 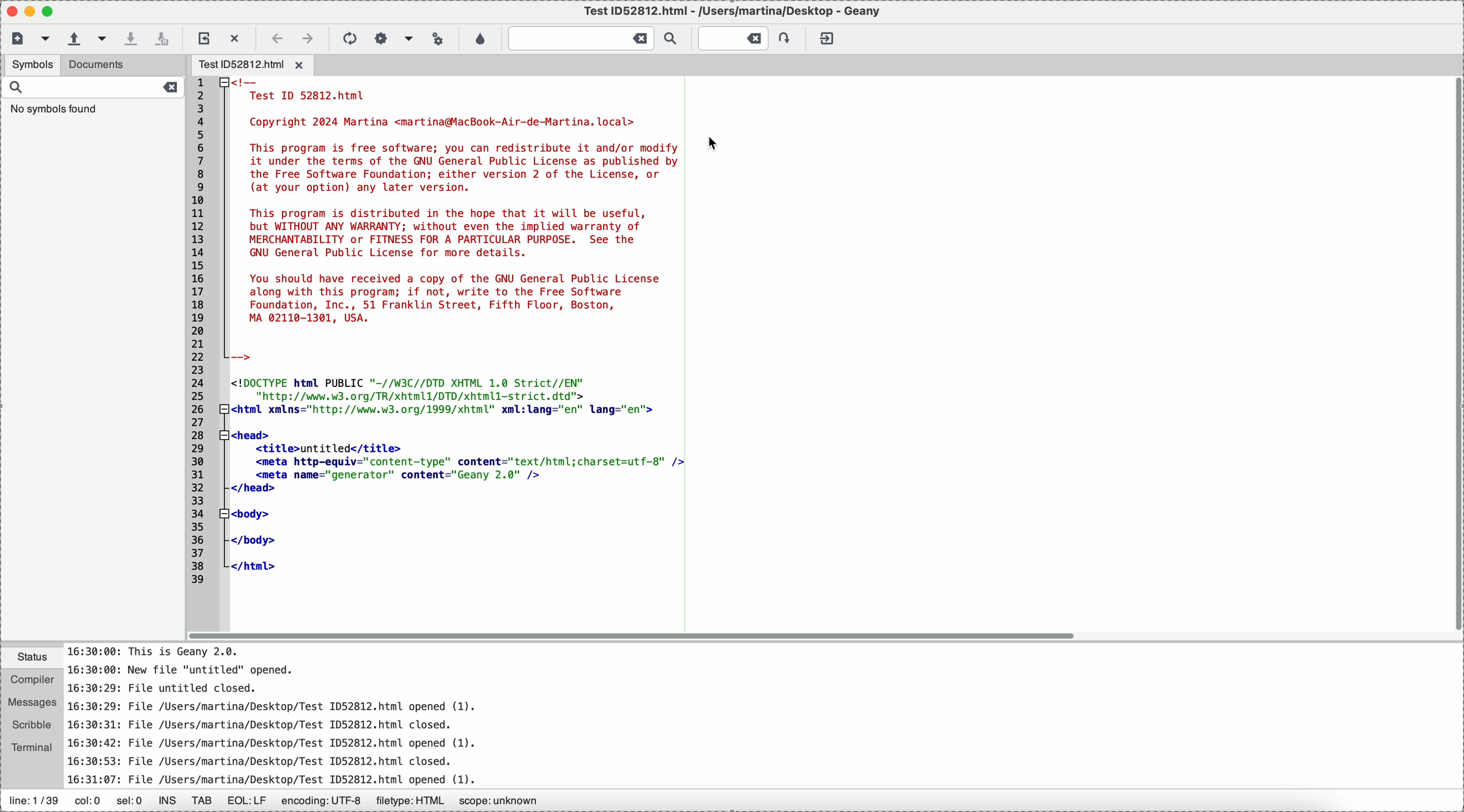 I want to click on save all open files, so click(x=165, y=37).